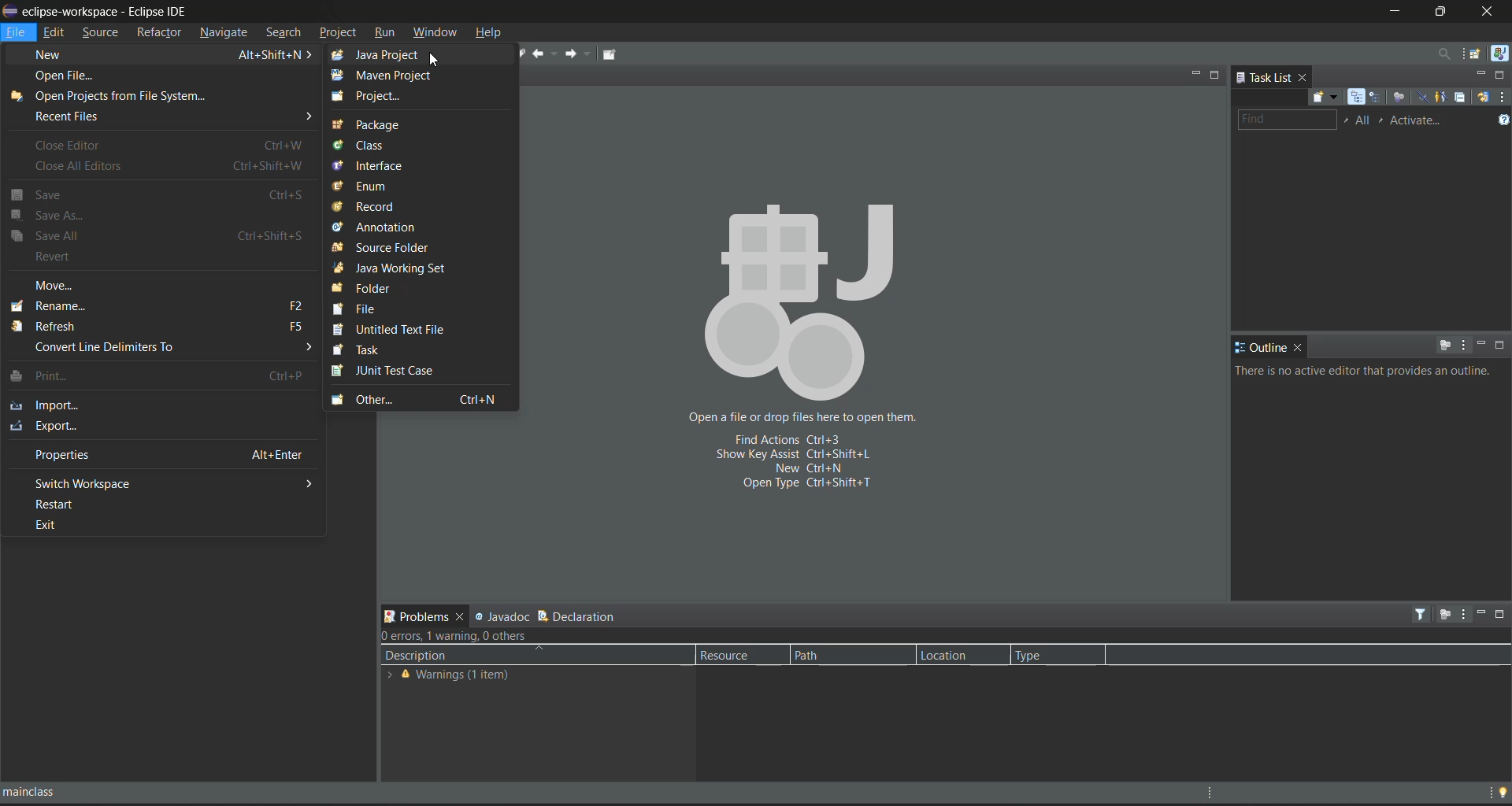 This screenshot has height=806, width=1512. What do you see at coordinates (339, 34) in the screenshot?
I see `project` at bounding box center [339, 34].